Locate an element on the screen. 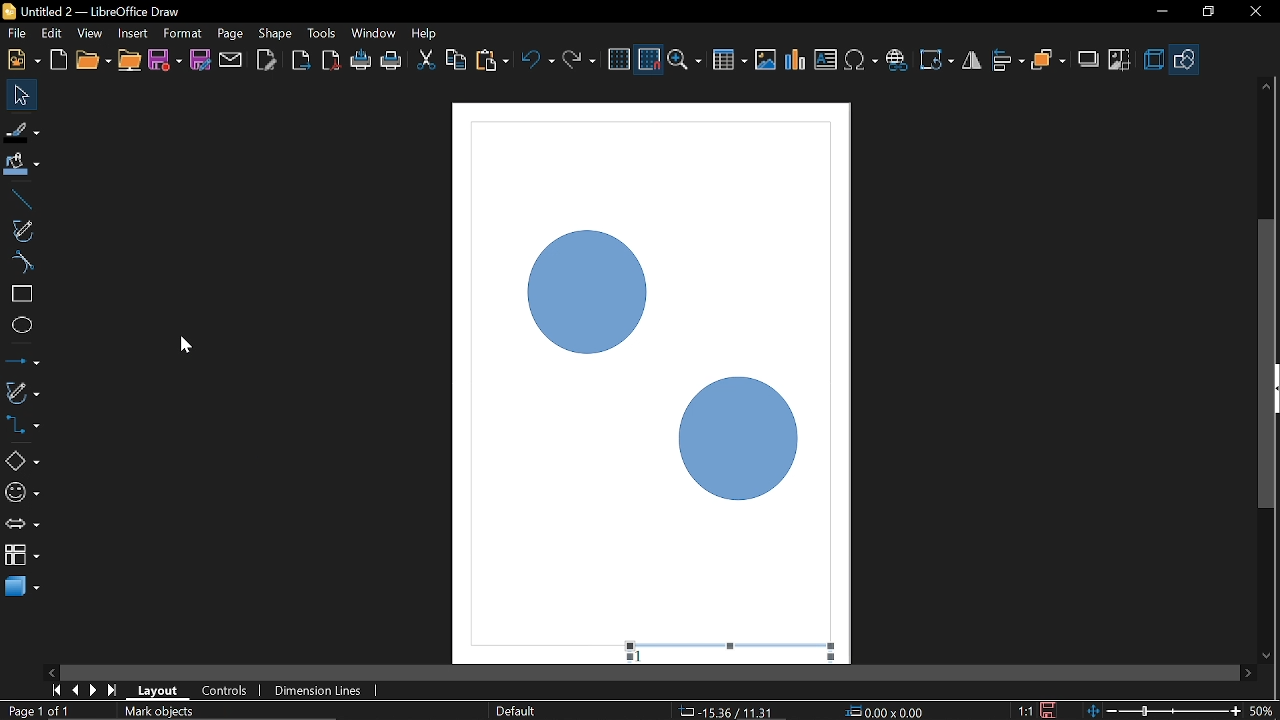 This screenshot has height=720, width=1280. Shadow is located at coordinates (1089, 62).